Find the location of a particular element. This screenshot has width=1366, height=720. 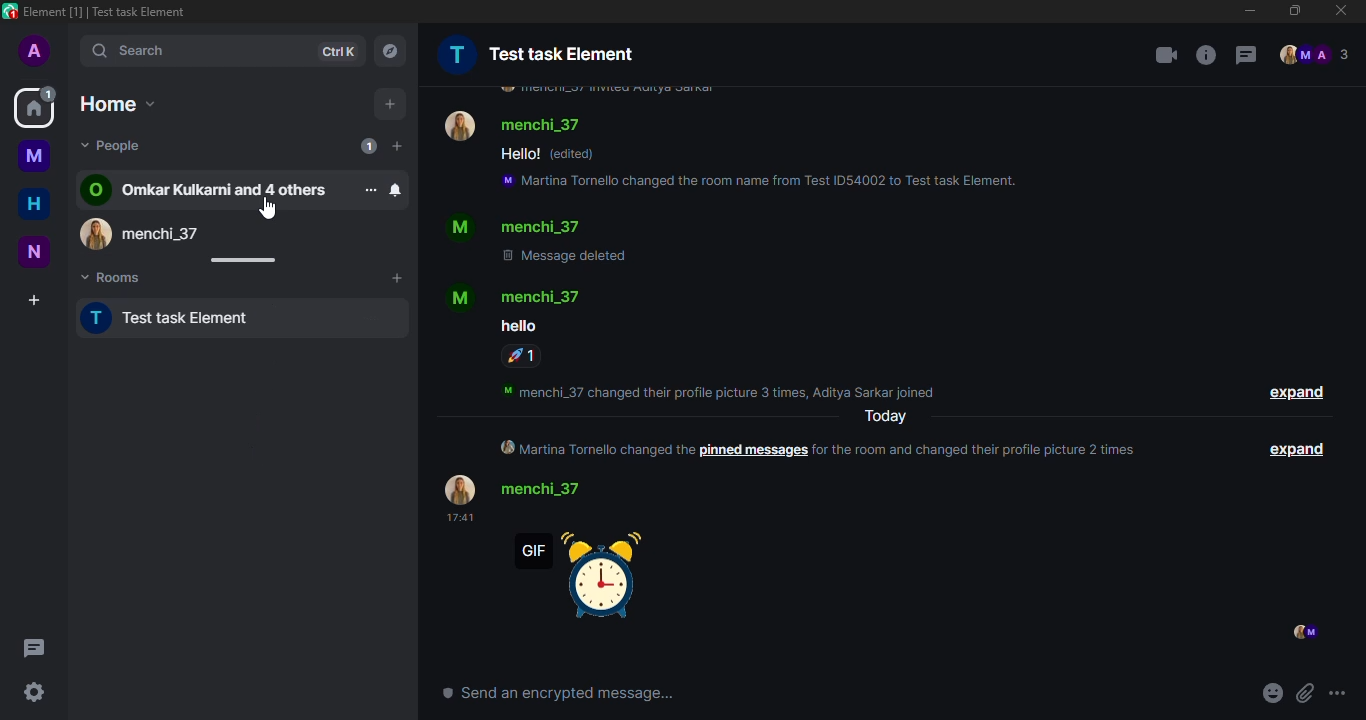

add is located at coordinates (397, 147).